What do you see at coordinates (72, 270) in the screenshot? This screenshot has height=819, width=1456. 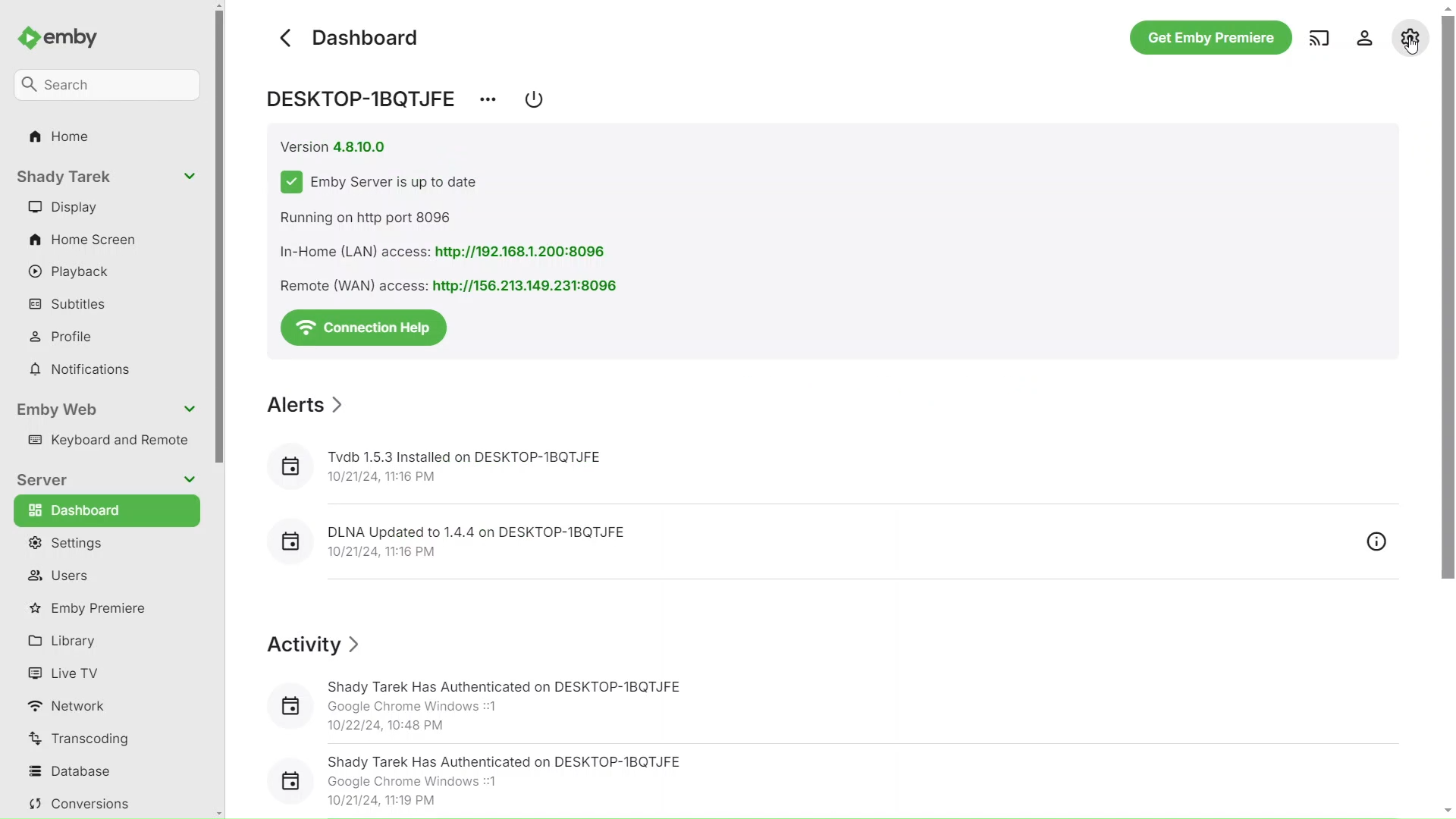 I see ` Playback` at bounding box center [72, 270].